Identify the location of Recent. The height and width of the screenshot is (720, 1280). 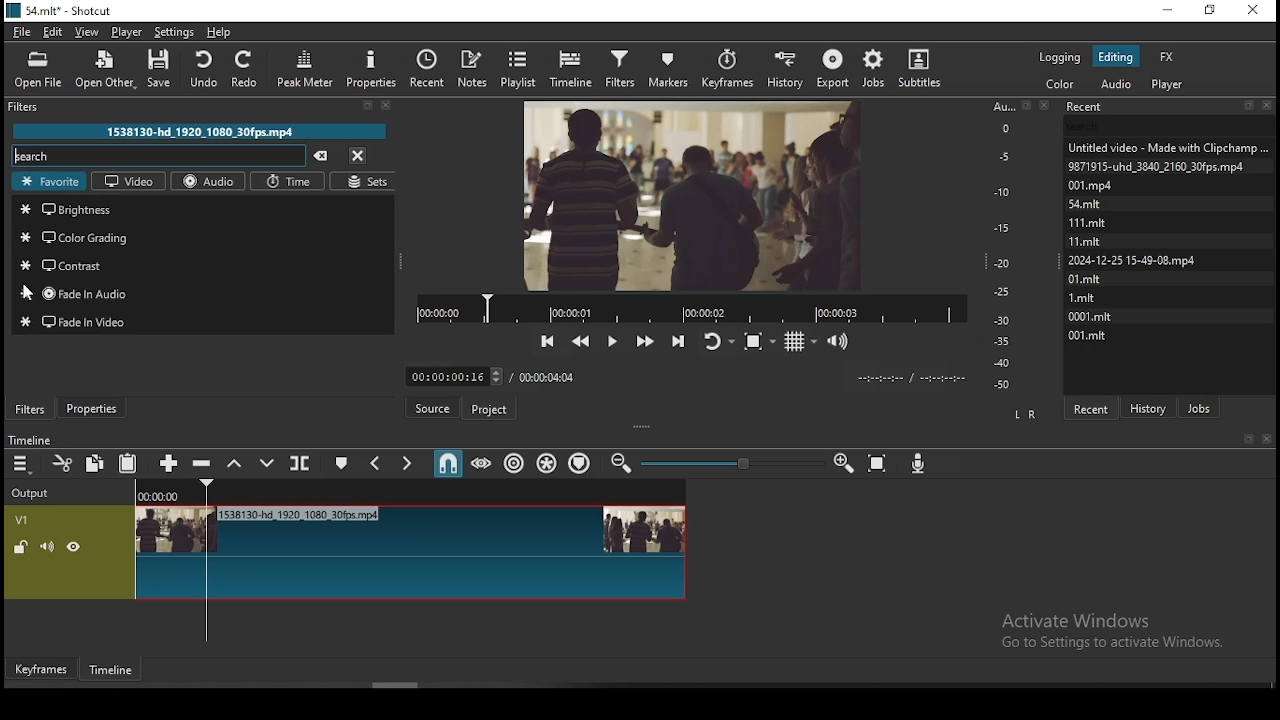
(1169, 107).